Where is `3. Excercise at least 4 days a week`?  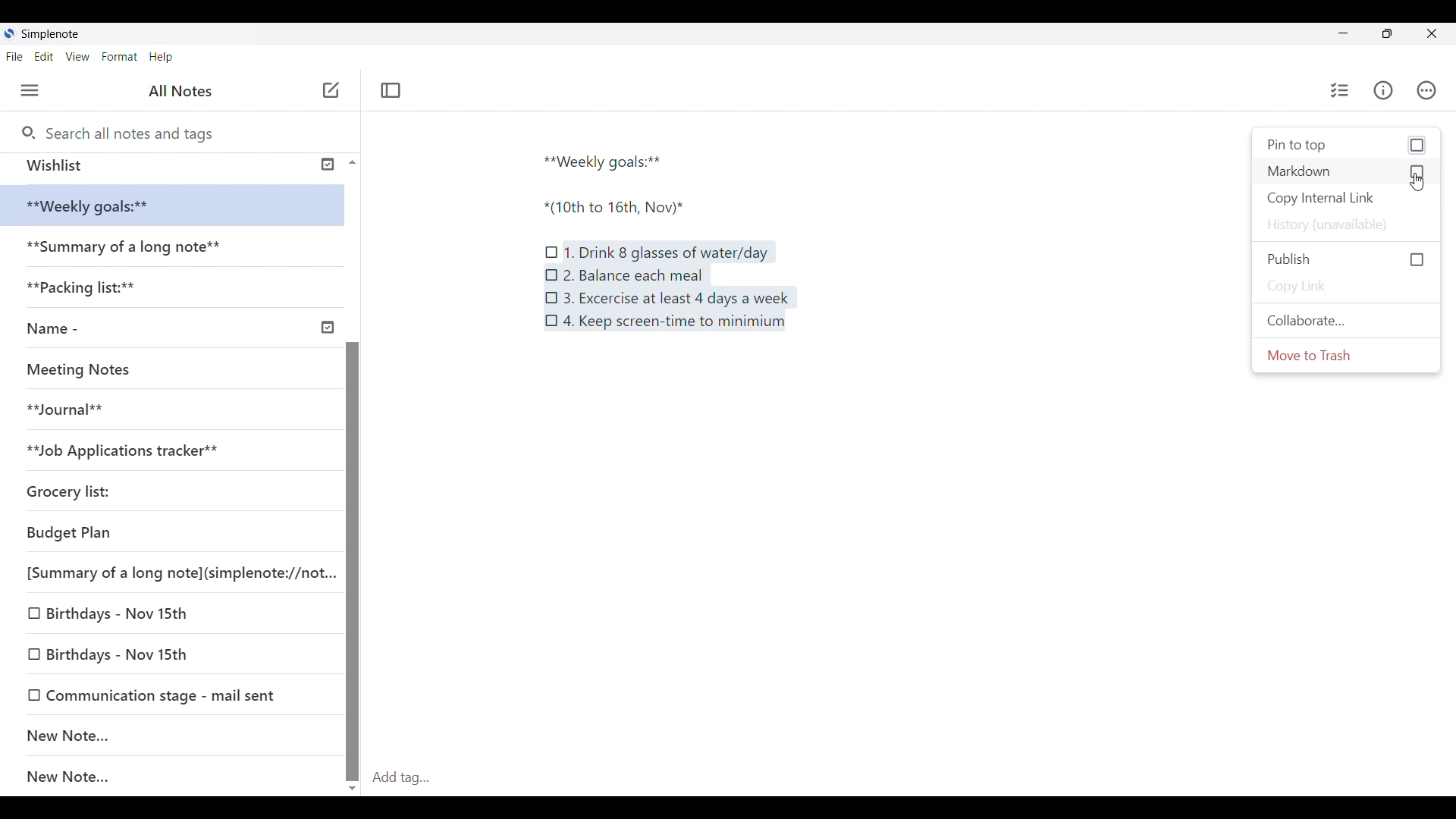
3. Excercise at least 4 days a week is located at coordinates (676, 299).